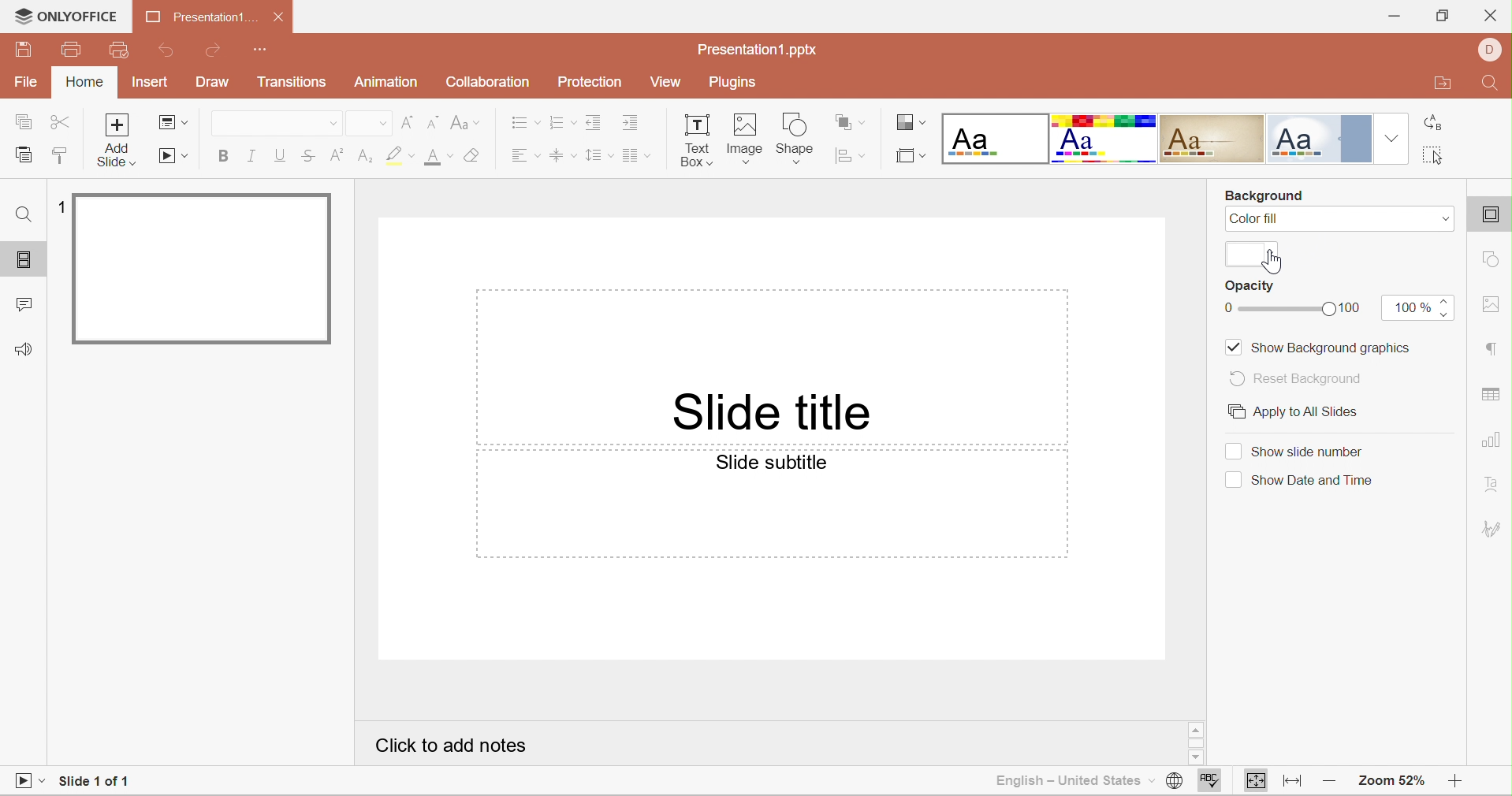 The image size is (1512, 796). Describe the element at coordinates (1197, 742) in the screenshot. I see `Scrollbar` at that location.